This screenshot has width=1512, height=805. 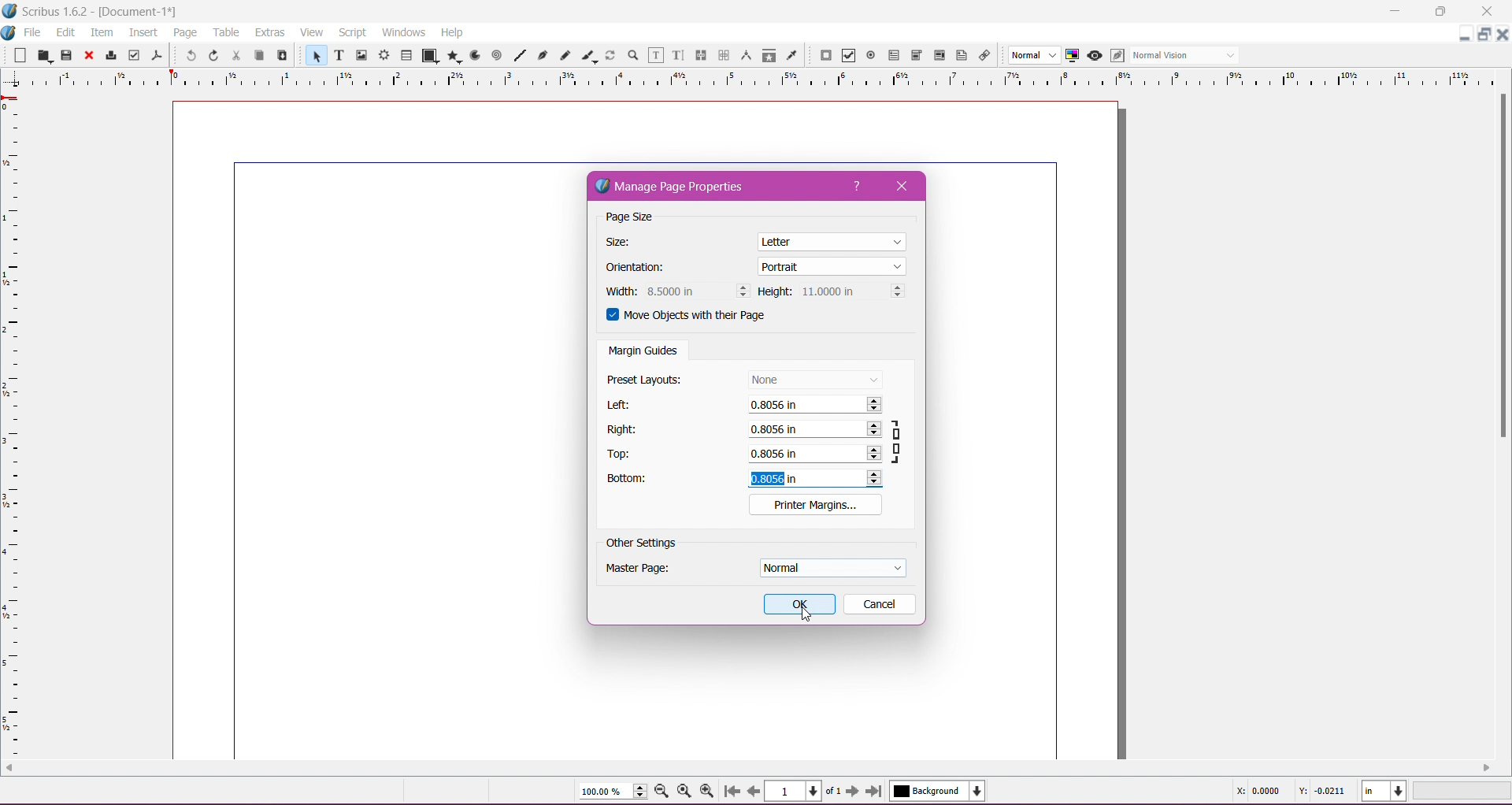 What do you see at coordinates (624, 429) in the screenshot?
I see `Right` at bounding box center [624, 429].